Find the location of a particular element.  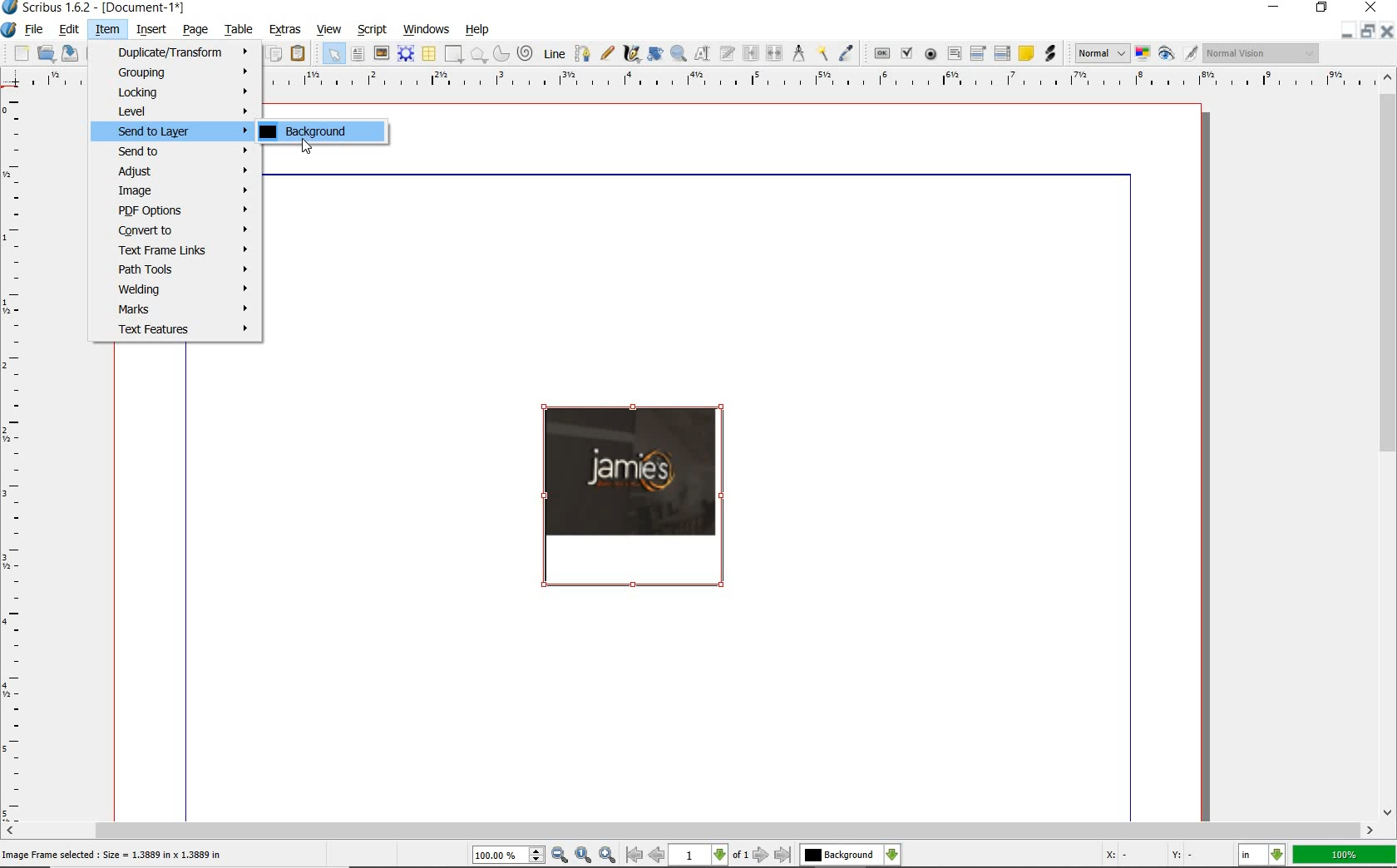

spiral is located at coordinates (526, 52).